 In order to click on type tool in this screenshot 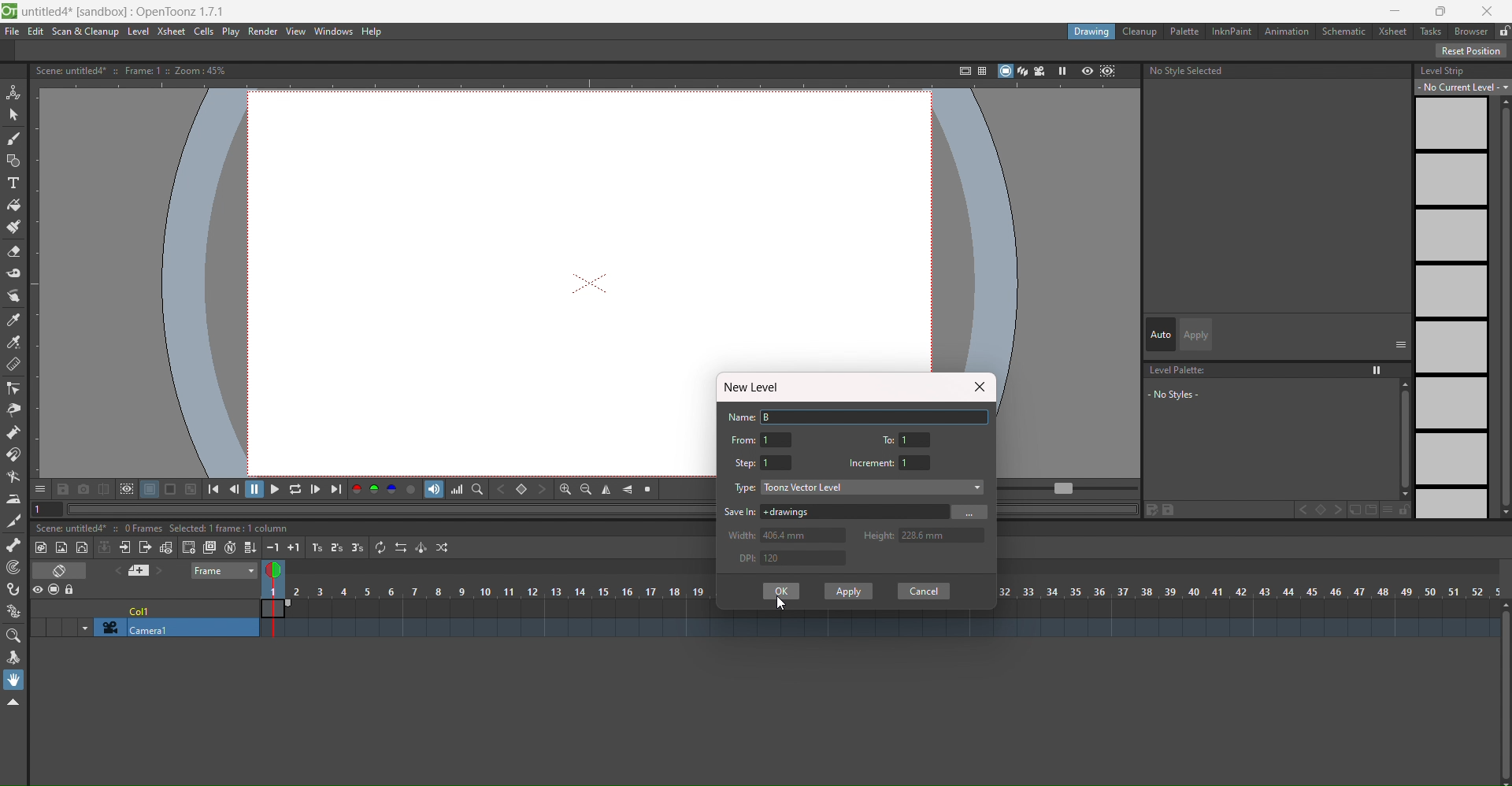, I will do `click(13, 184)`.